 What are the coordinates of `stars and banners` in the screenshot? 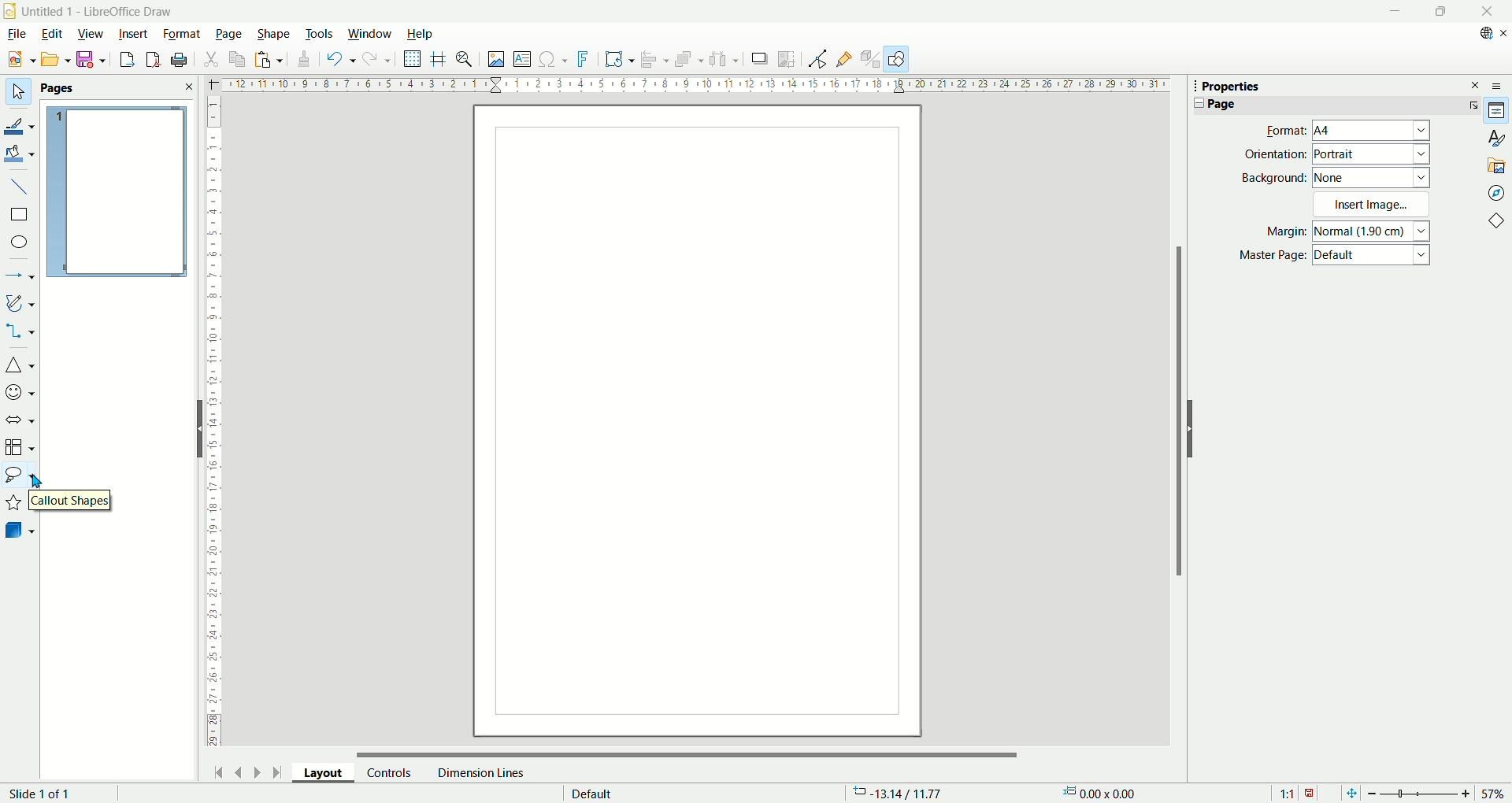 It's located at (15, 504).